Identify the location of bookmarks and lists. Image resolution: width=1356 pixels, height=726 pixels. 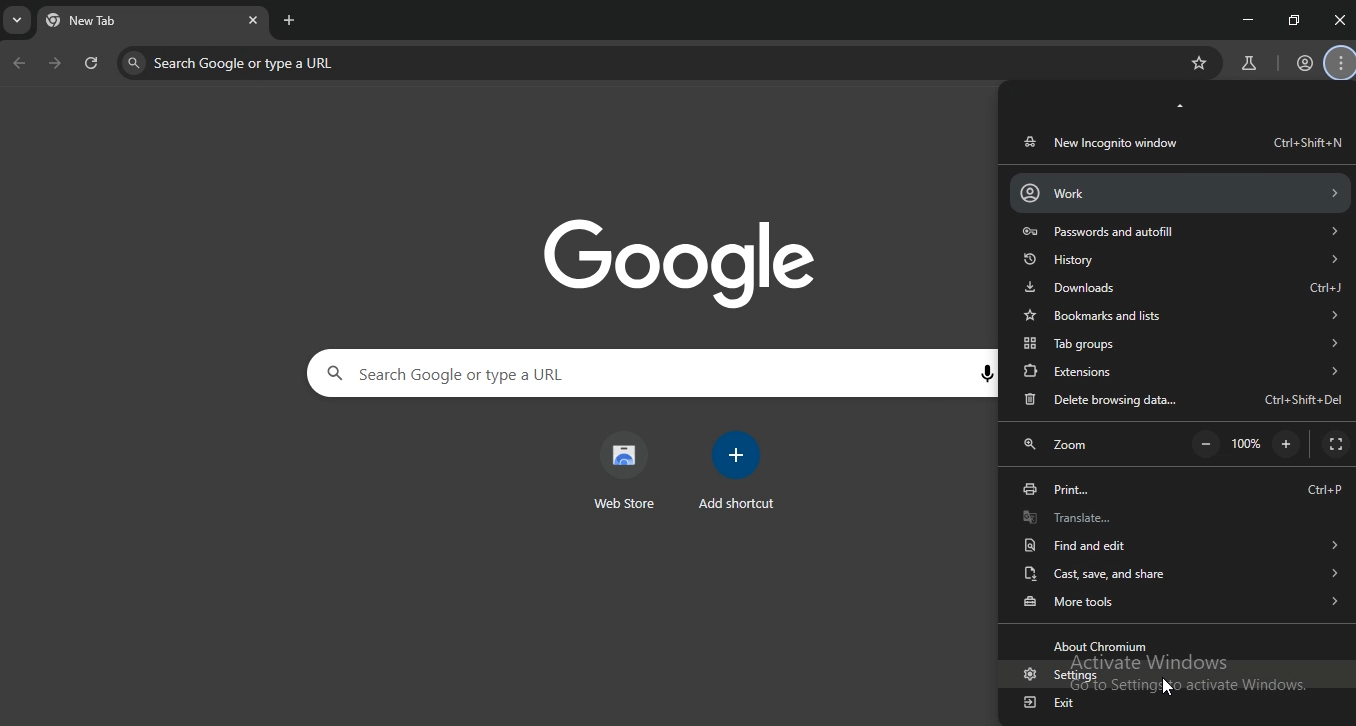
(1179, 315).